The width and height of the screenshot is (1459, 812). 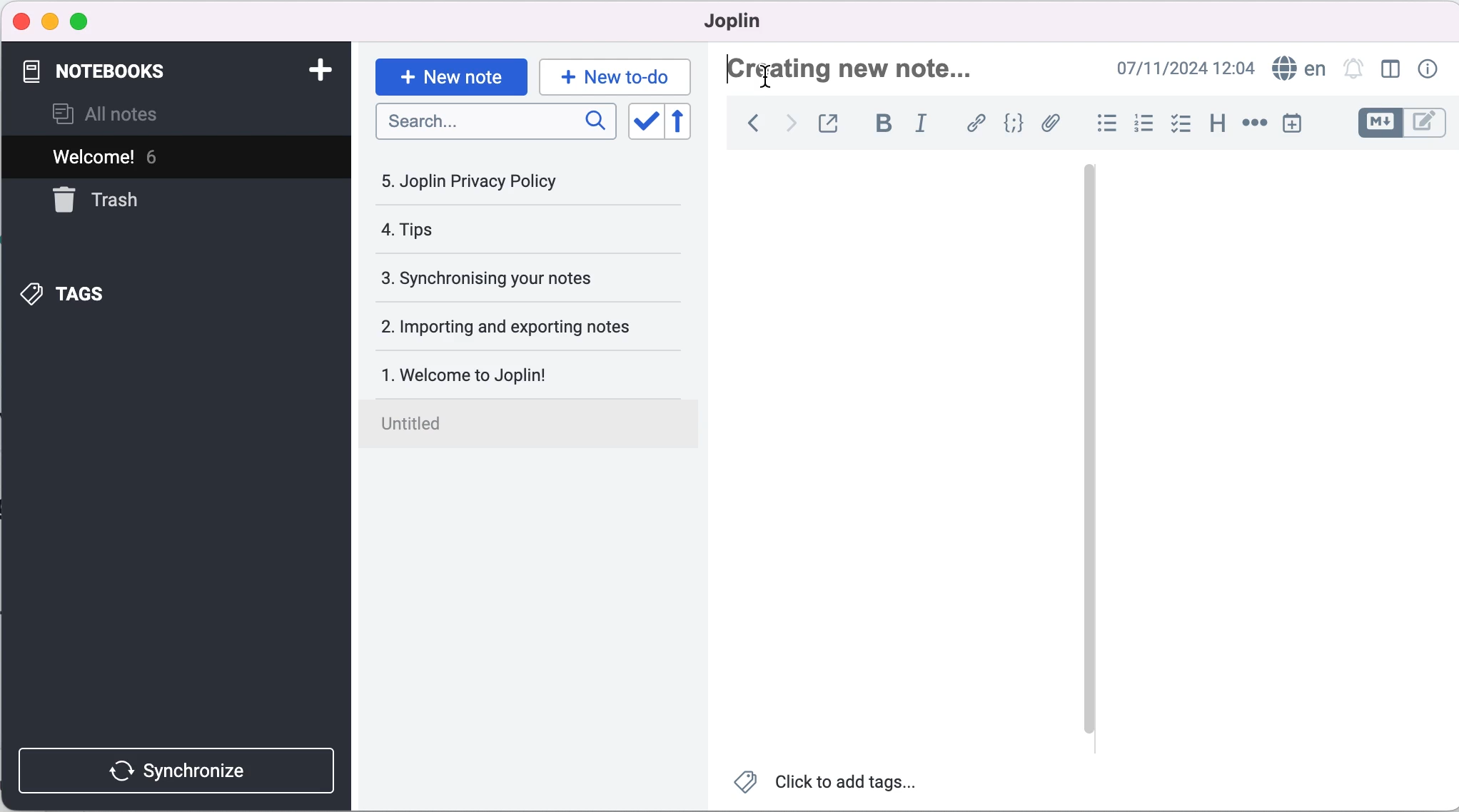 What do you see at coordinates (1353, 69) in the screenshot?
I see `set alarm` at bounding box center [1353, 69].